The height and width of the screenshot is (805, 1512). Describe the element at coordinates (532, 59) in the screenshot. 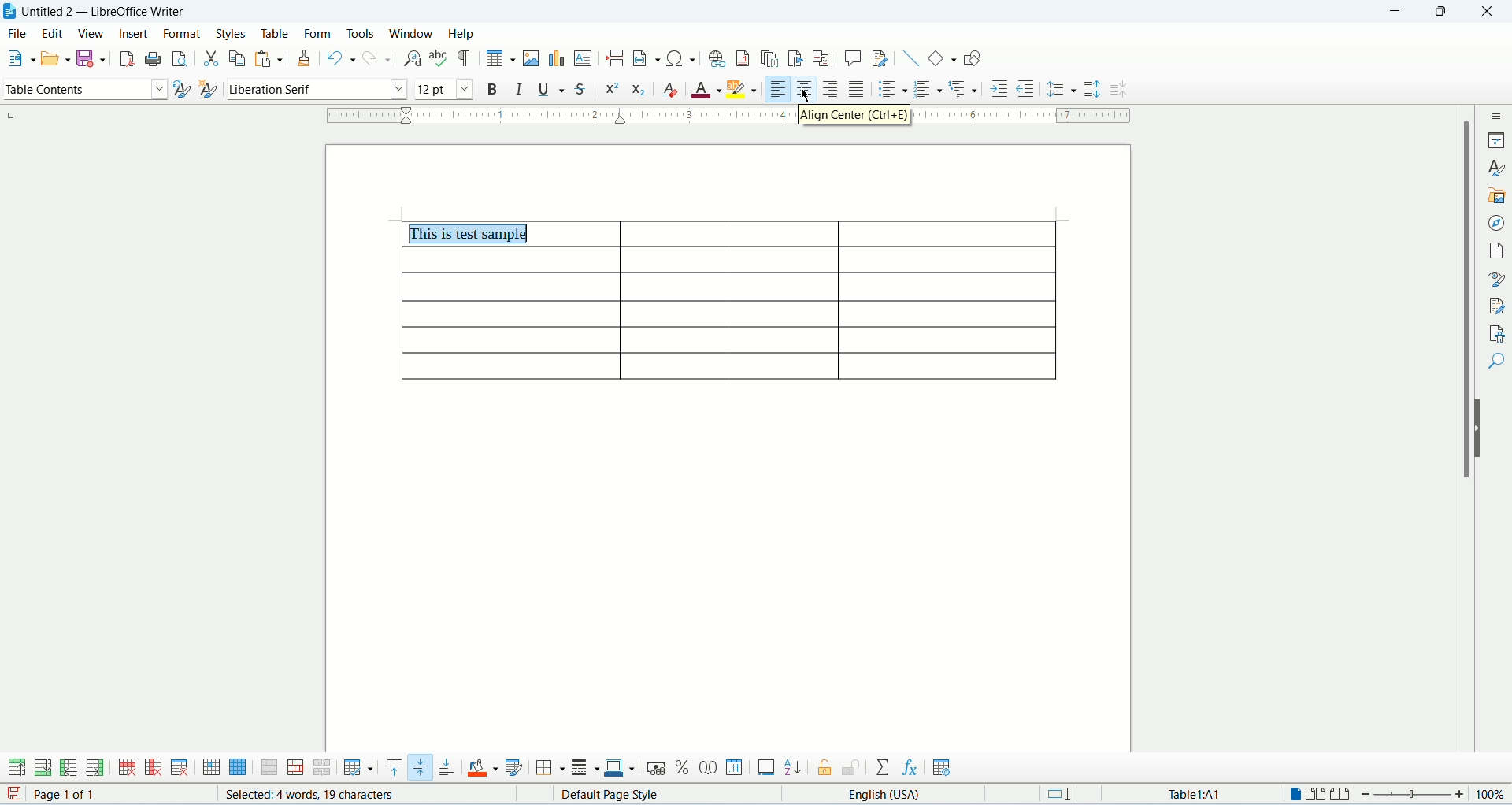

I see `insert image` at that location.